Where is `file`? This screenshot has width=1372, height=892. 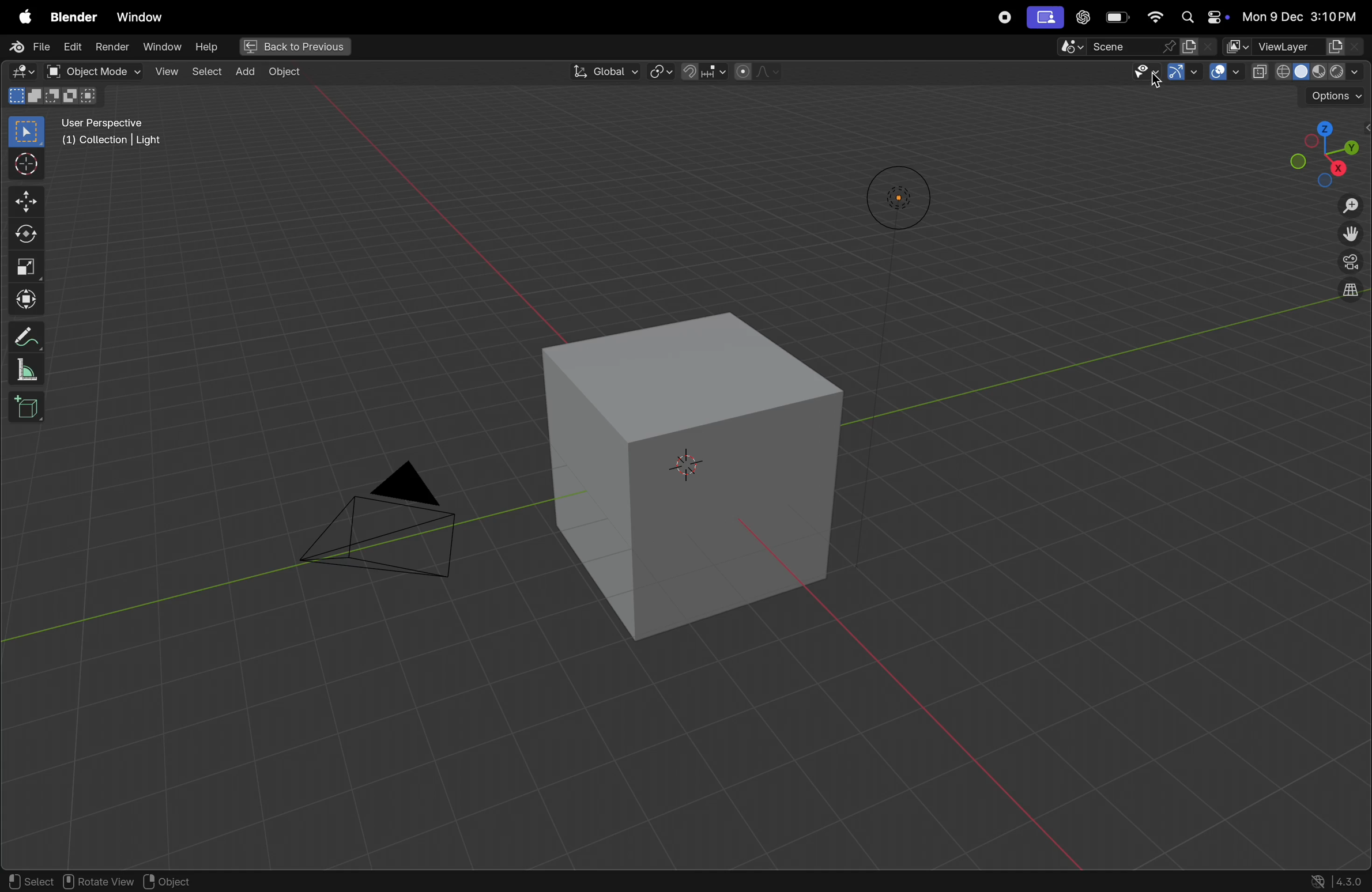
file is located at coordinates (27, 48).